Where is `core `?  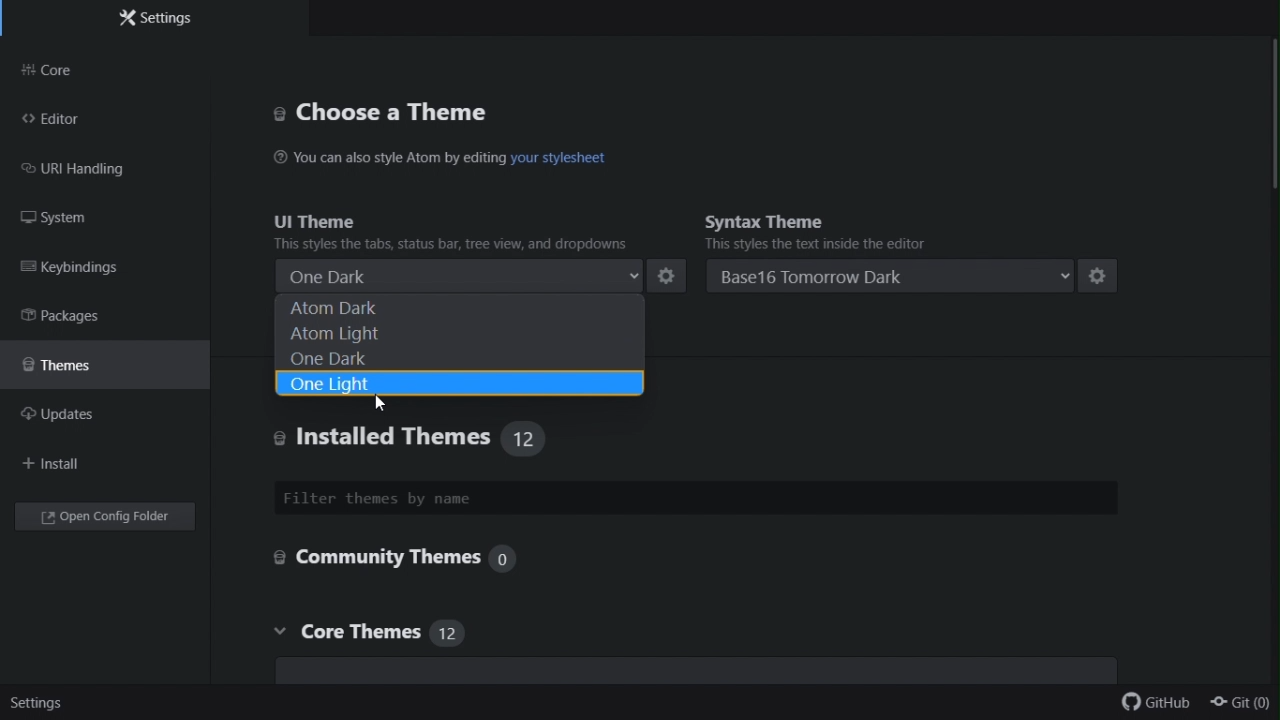
core  is located at coordinates (111, 70).